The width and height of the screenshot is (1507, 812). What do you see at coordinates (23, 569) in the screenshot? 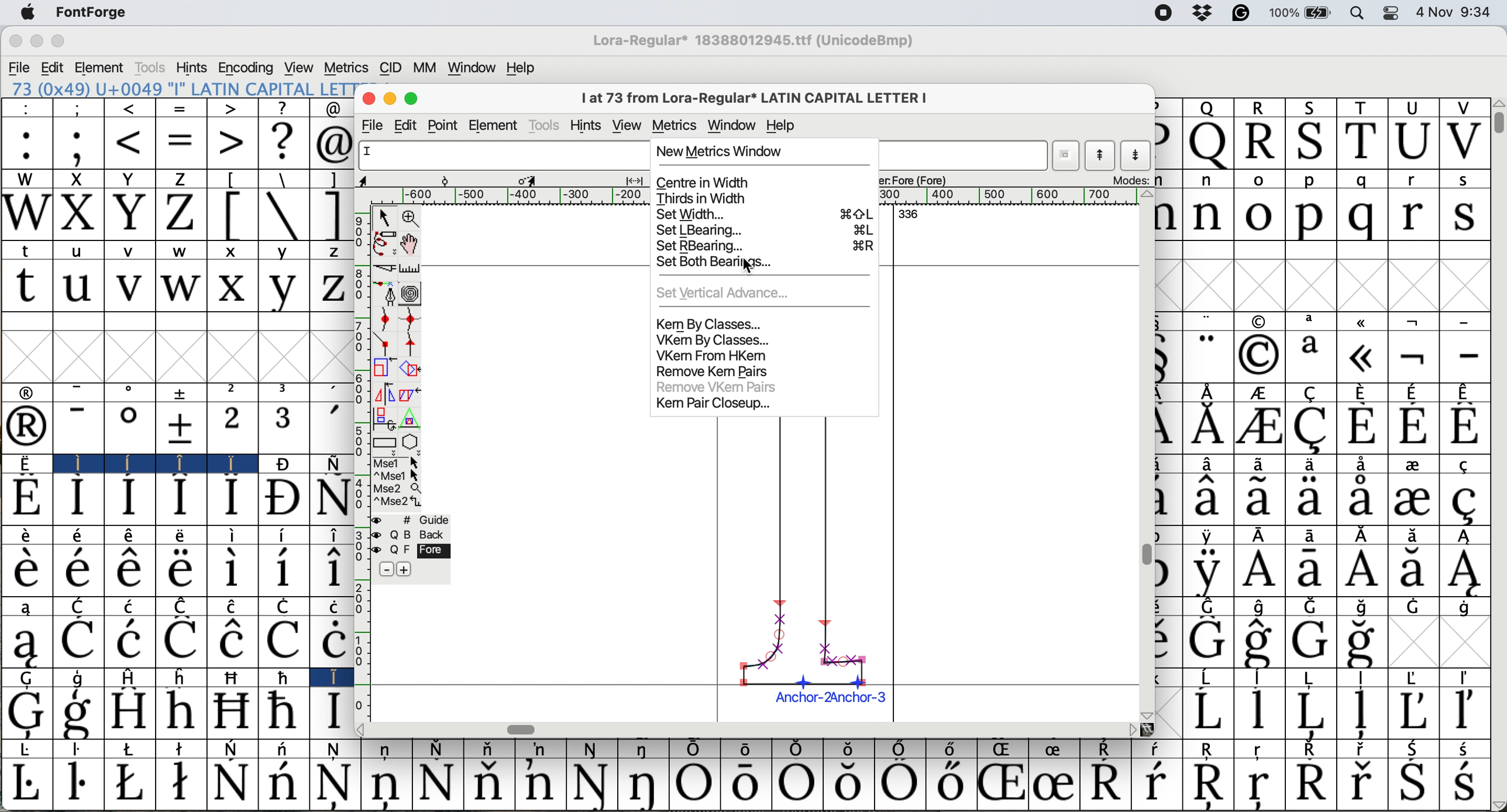
I see `Symbol` at bounding box center [23, 569].